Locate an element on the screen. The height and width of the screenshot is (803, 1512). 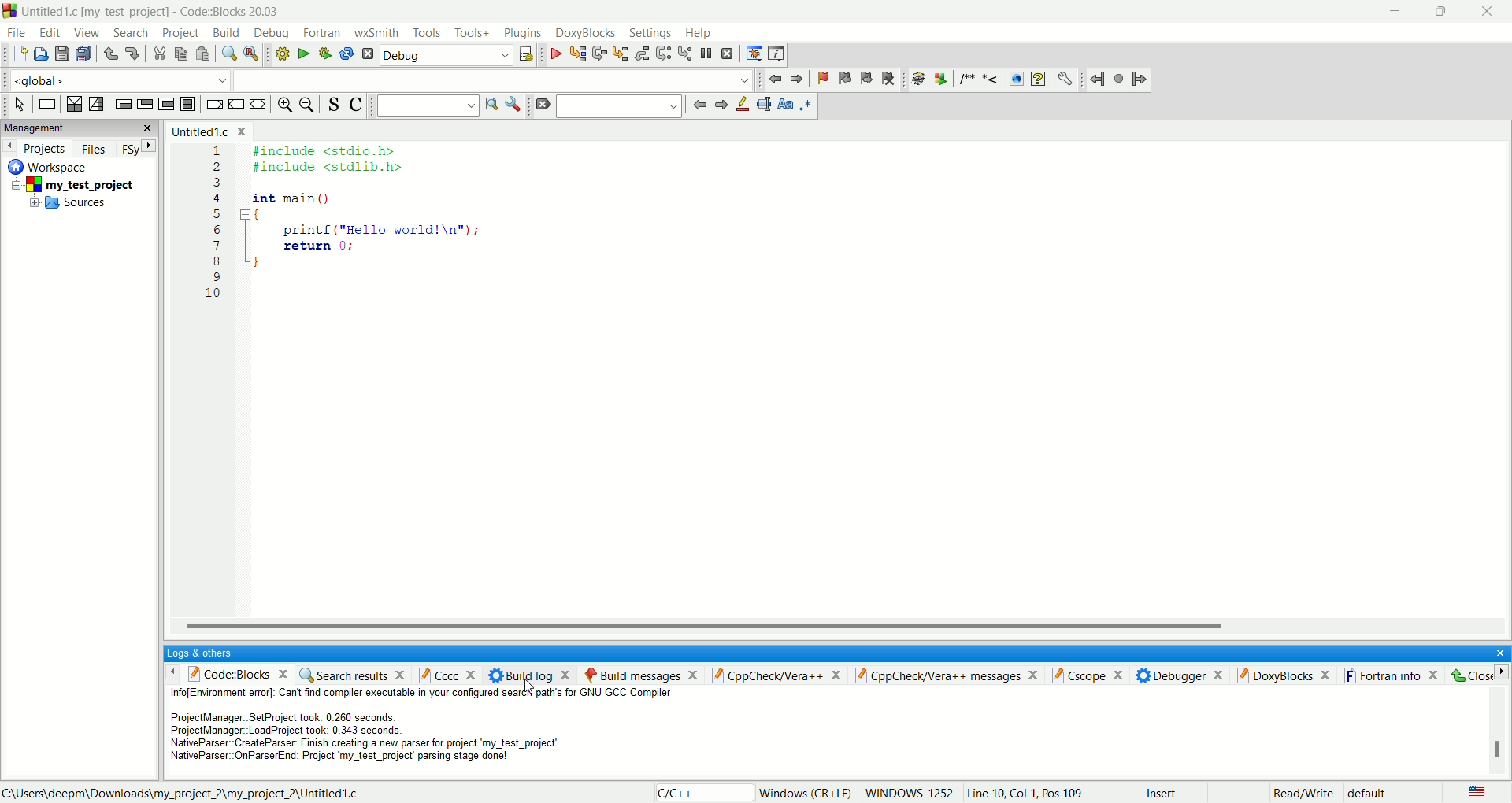
Projects is located at coordinates (35, 146).